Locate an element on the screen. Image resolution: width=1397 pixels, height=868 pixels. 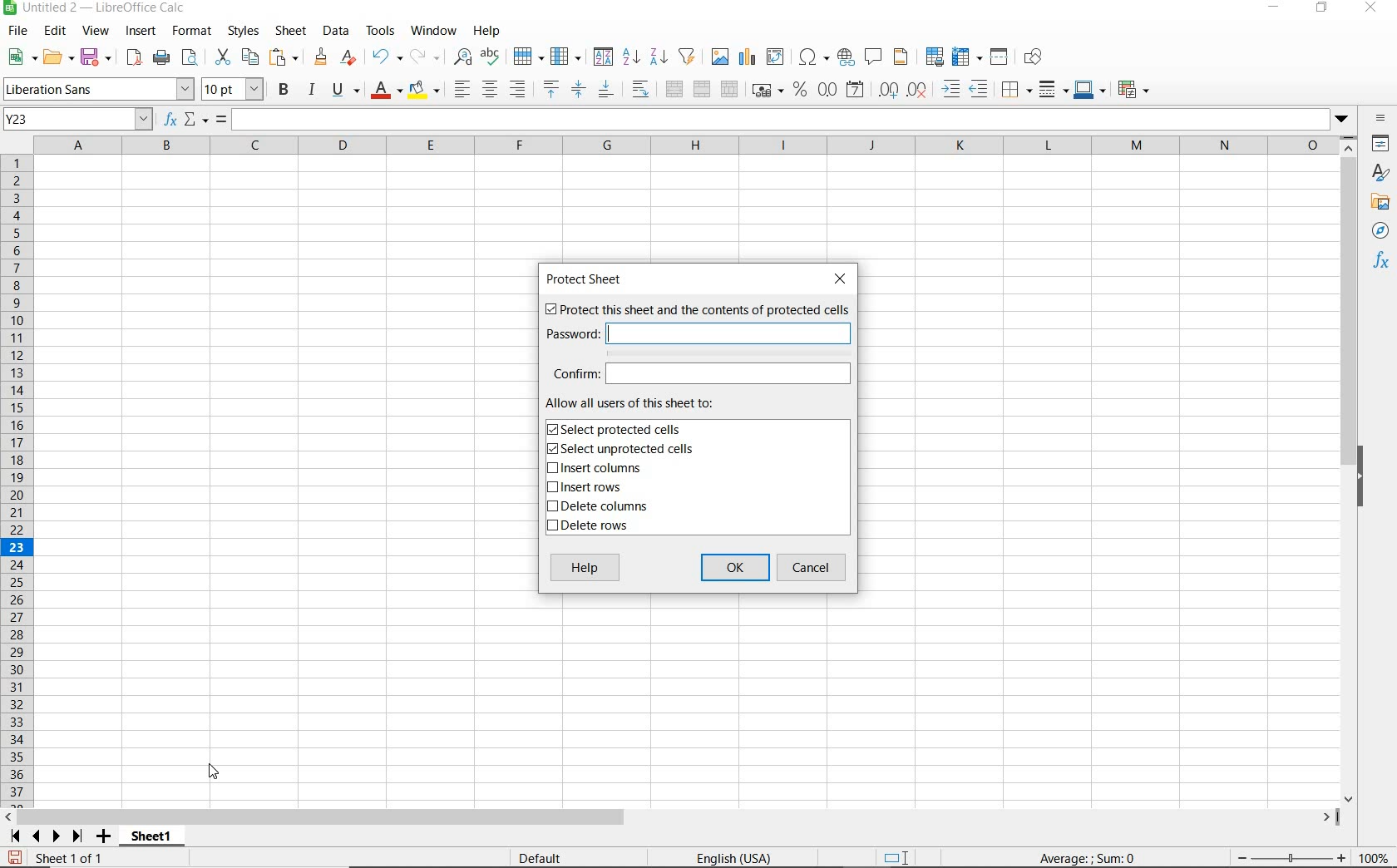
FORMULA is located at coordinates (1088, 859).